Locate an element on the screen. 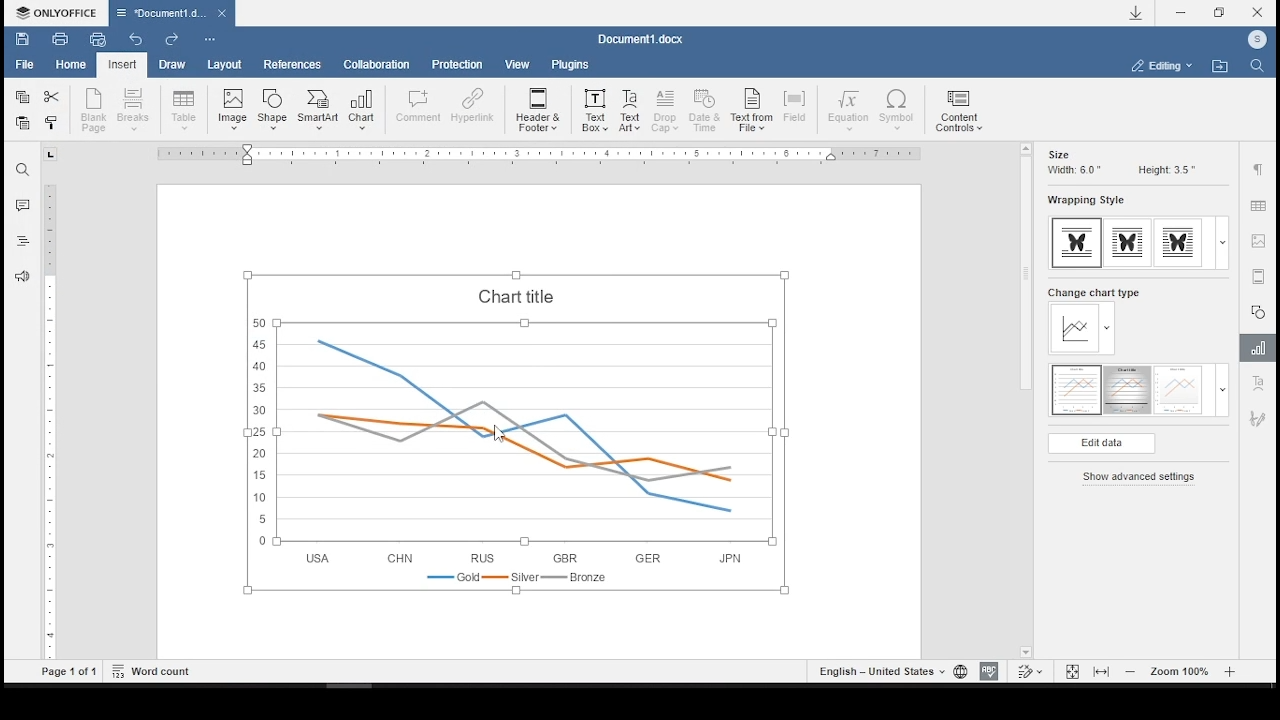 This screenshot has height=720, width=1280. save is located at coordinates (23, 38).